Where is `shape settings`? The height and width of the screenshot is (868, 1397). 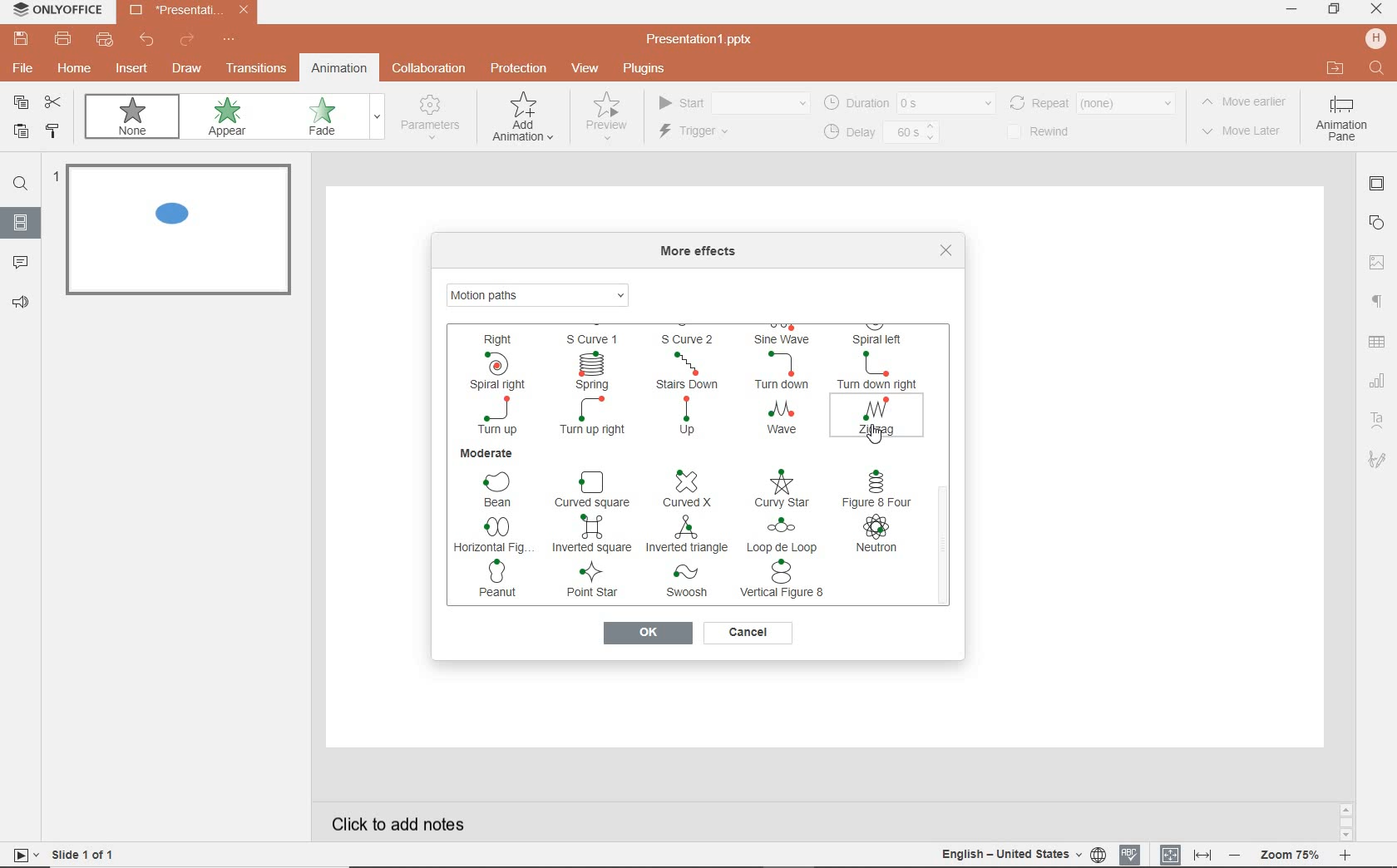 shape settings is located at coordinates (1380, 222).